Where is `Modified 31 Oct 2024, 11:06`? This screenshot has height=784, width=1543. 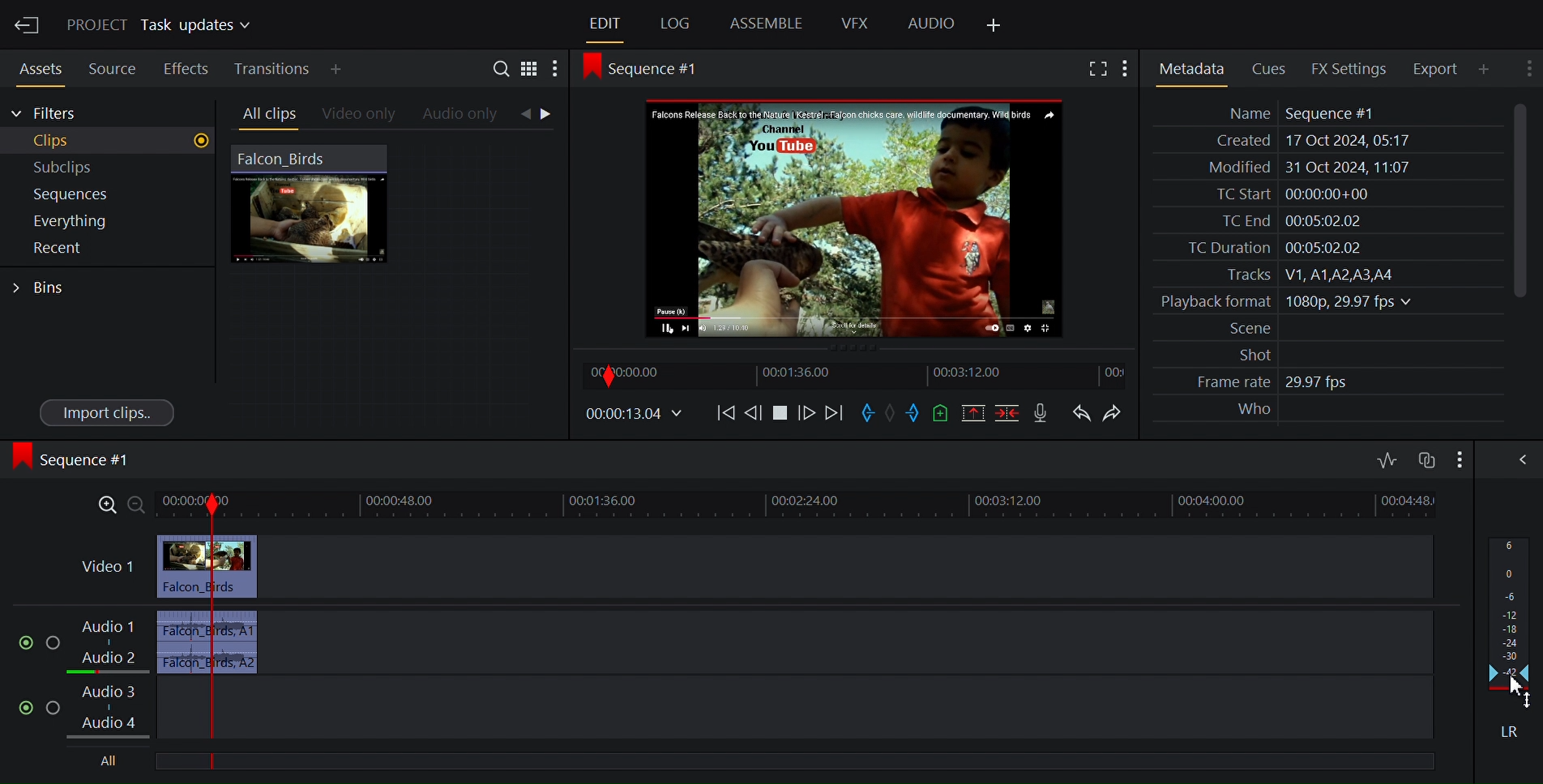 Modified 31 Oct 2024, 11:06 is located at coordinates (1301, 168).